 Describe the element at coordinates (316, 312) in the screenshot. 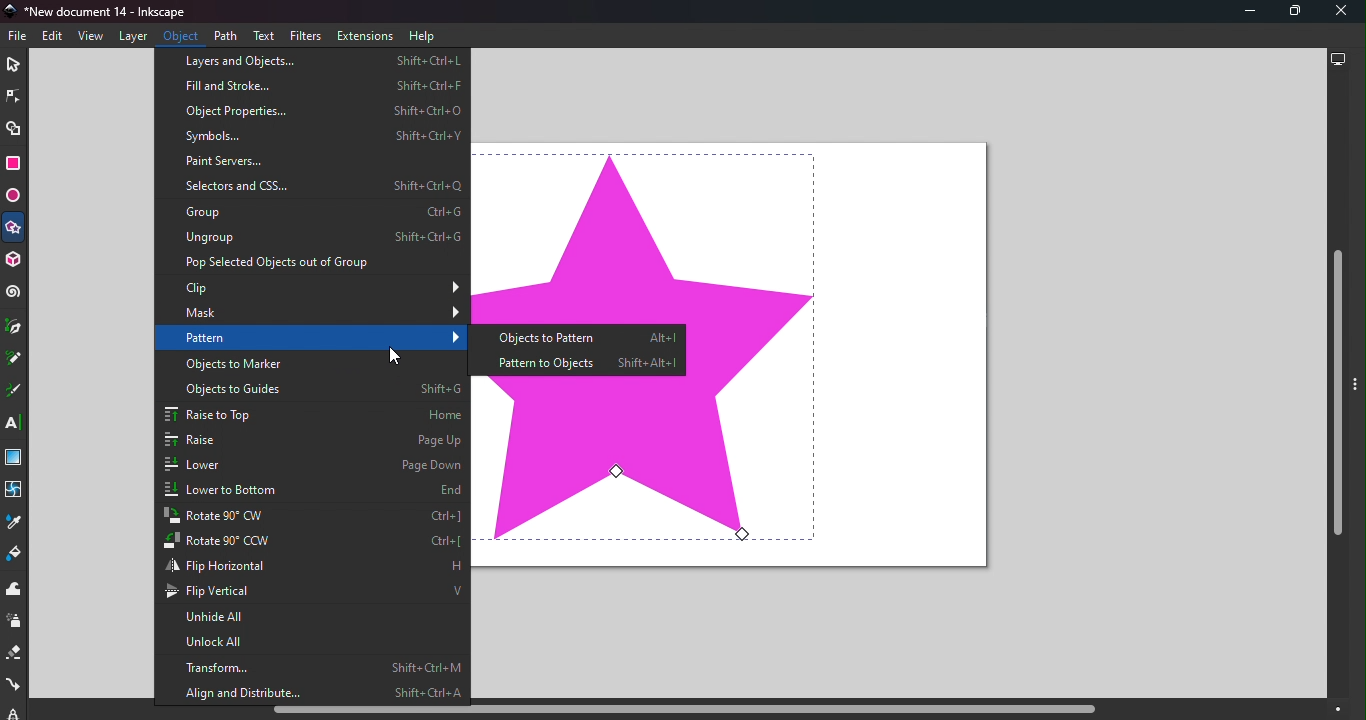

I see `Mask` at that location.